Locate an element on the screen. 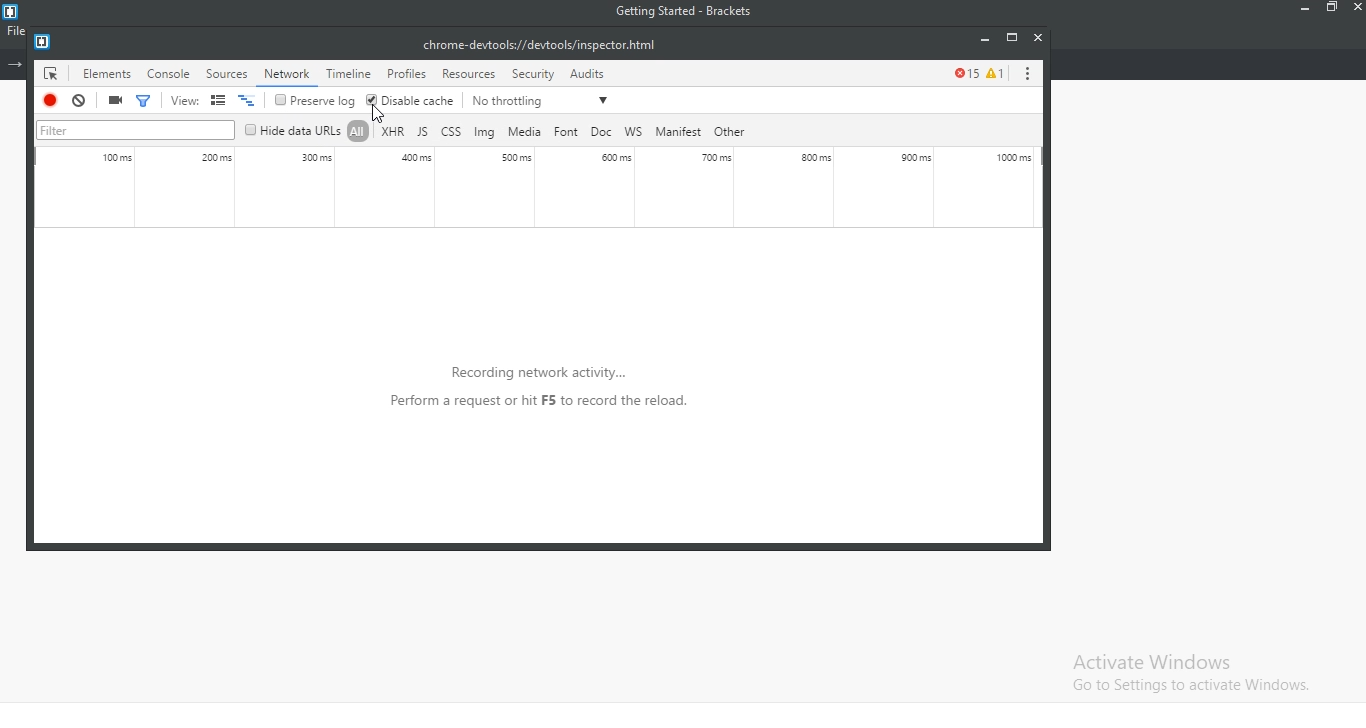 The image size is (1366, 728). logo is located at coordinates (43, 39).